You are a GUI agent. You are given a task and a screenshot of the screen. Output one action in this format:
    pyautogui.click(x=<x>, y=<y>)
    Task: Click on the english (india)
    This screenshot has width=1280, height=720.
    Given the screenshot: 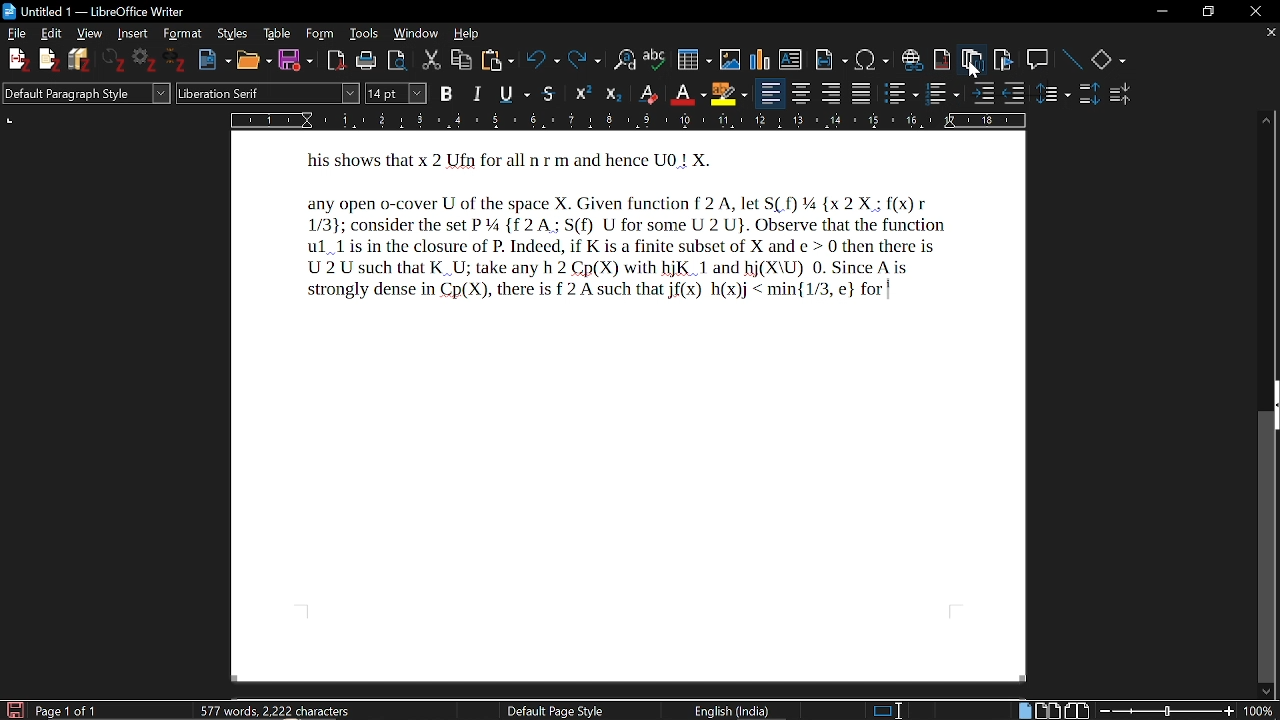 What is the action you would take?
    pyautogui.click(x=721, y=709)
    